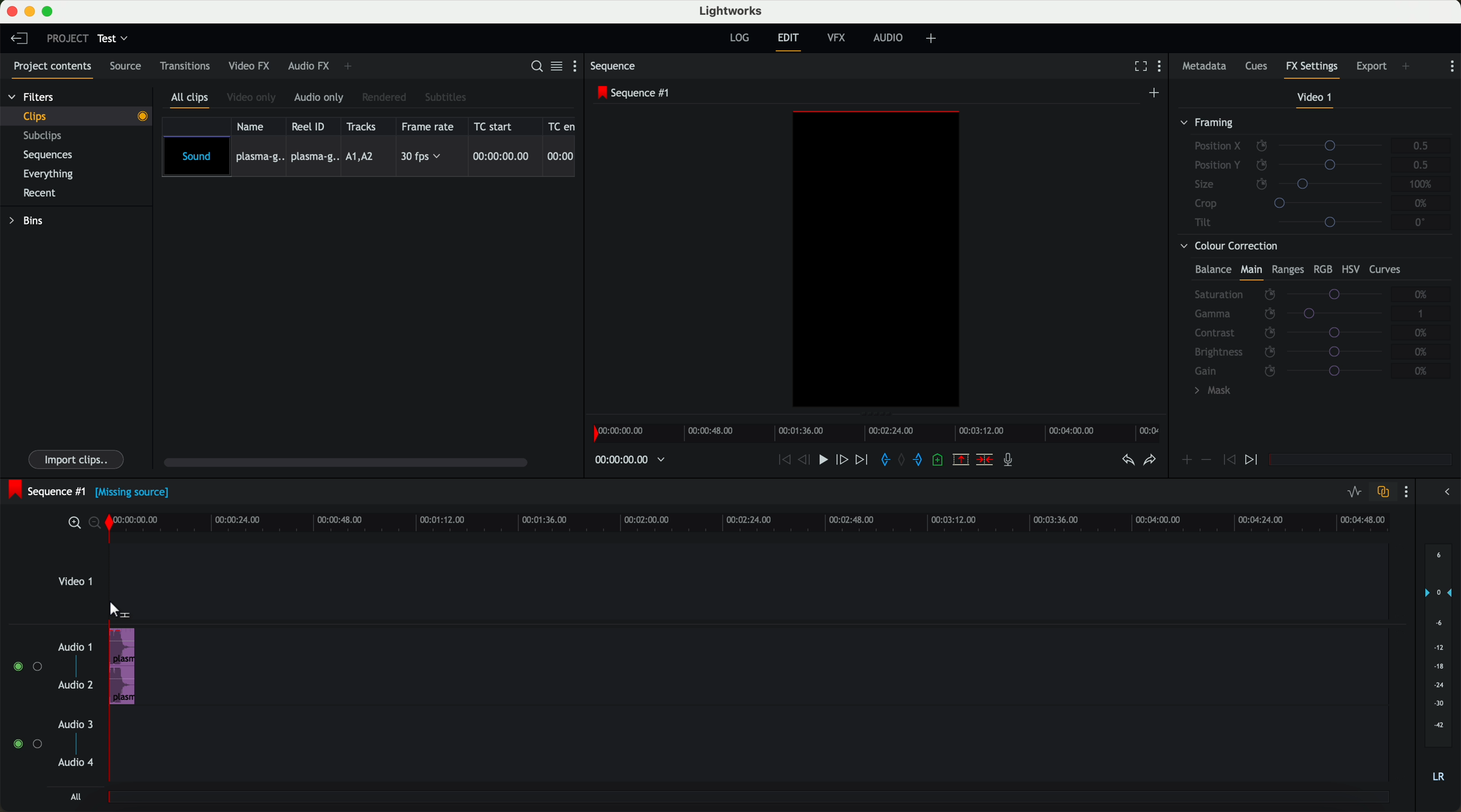 Image resolution: width=1461 pixels, height=812 pixels. What do you see at coordinates (65, 38) in the screenshot?
I see `project` at bounding box center [65, 38].